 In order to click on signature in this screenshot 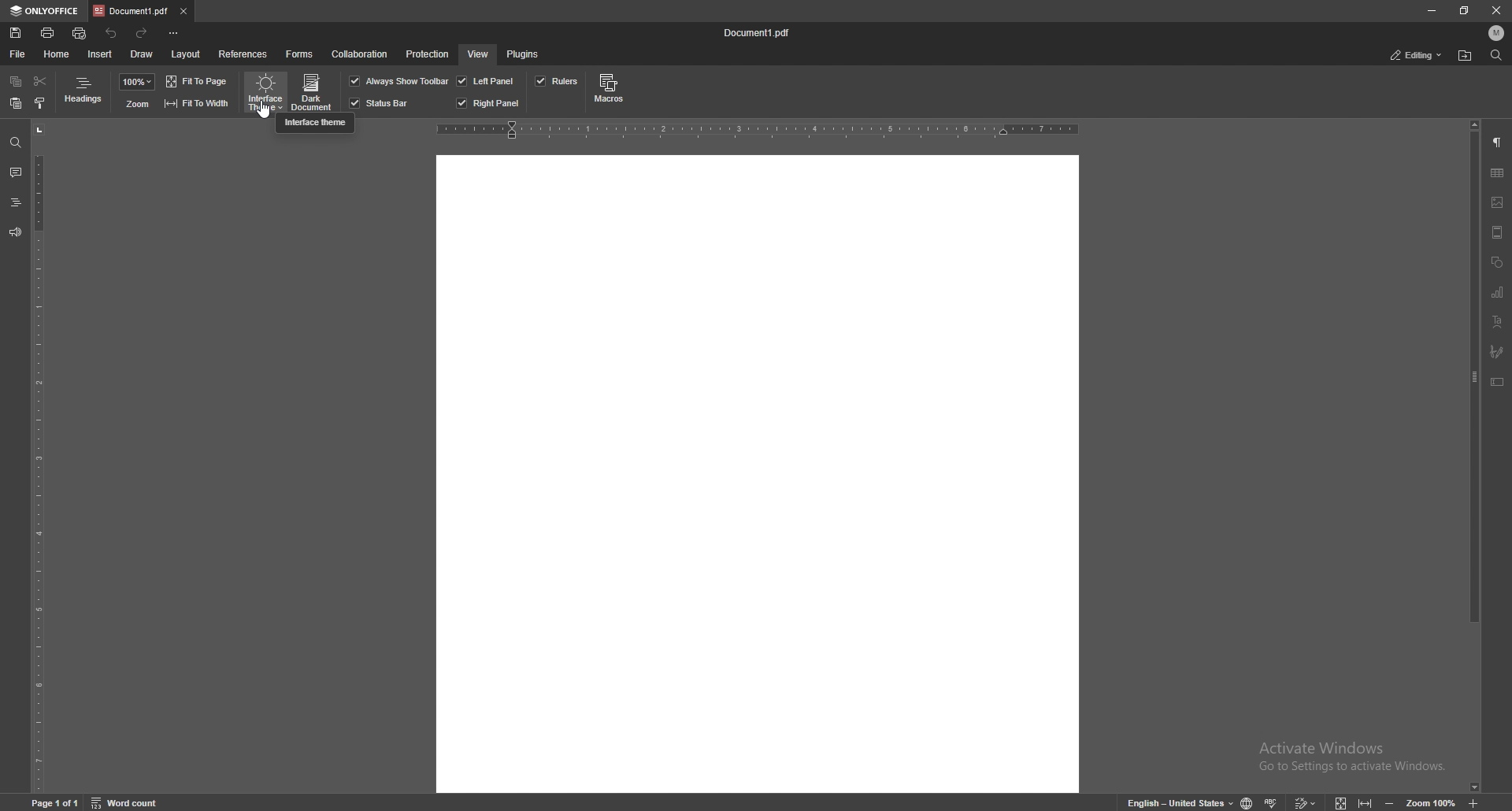, I will do `click(1496, 350)`.